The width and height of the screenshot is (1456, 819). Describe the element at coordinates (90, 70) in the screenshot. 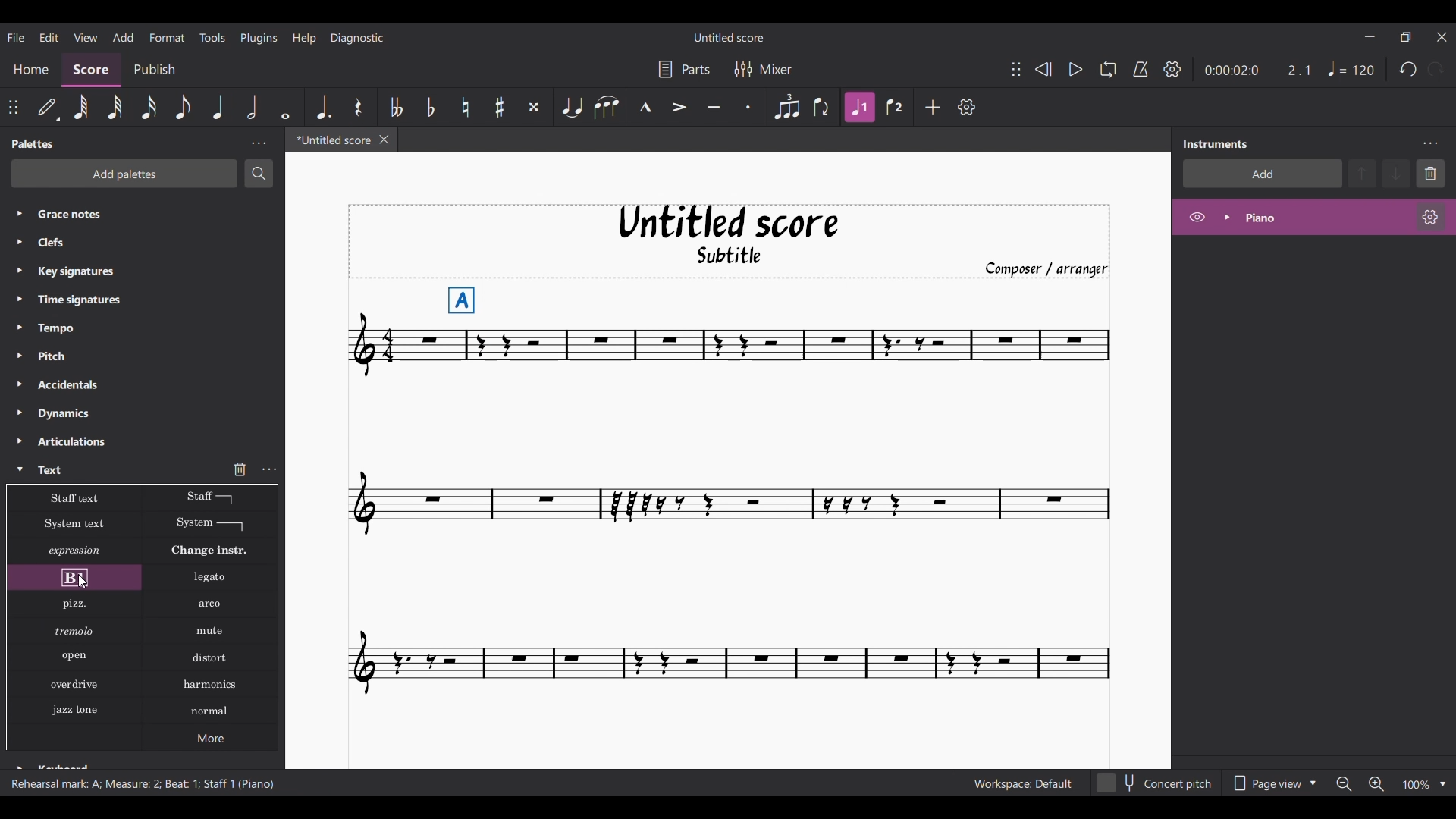

I see `Score section, current selection highlighted` at that location.